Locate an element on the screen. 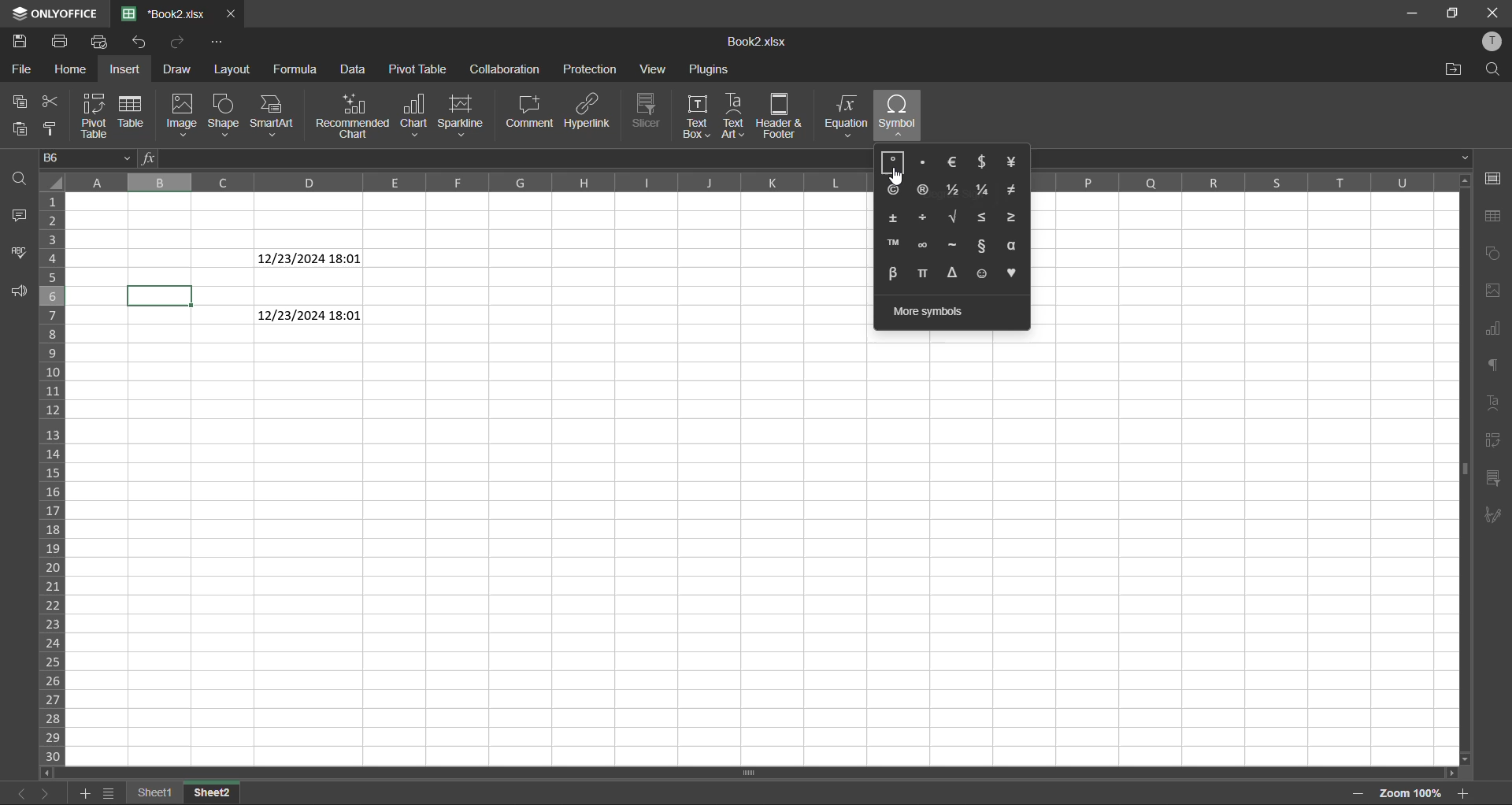 The image size is (1512, 805). beta is located at coordinates (892, 273).